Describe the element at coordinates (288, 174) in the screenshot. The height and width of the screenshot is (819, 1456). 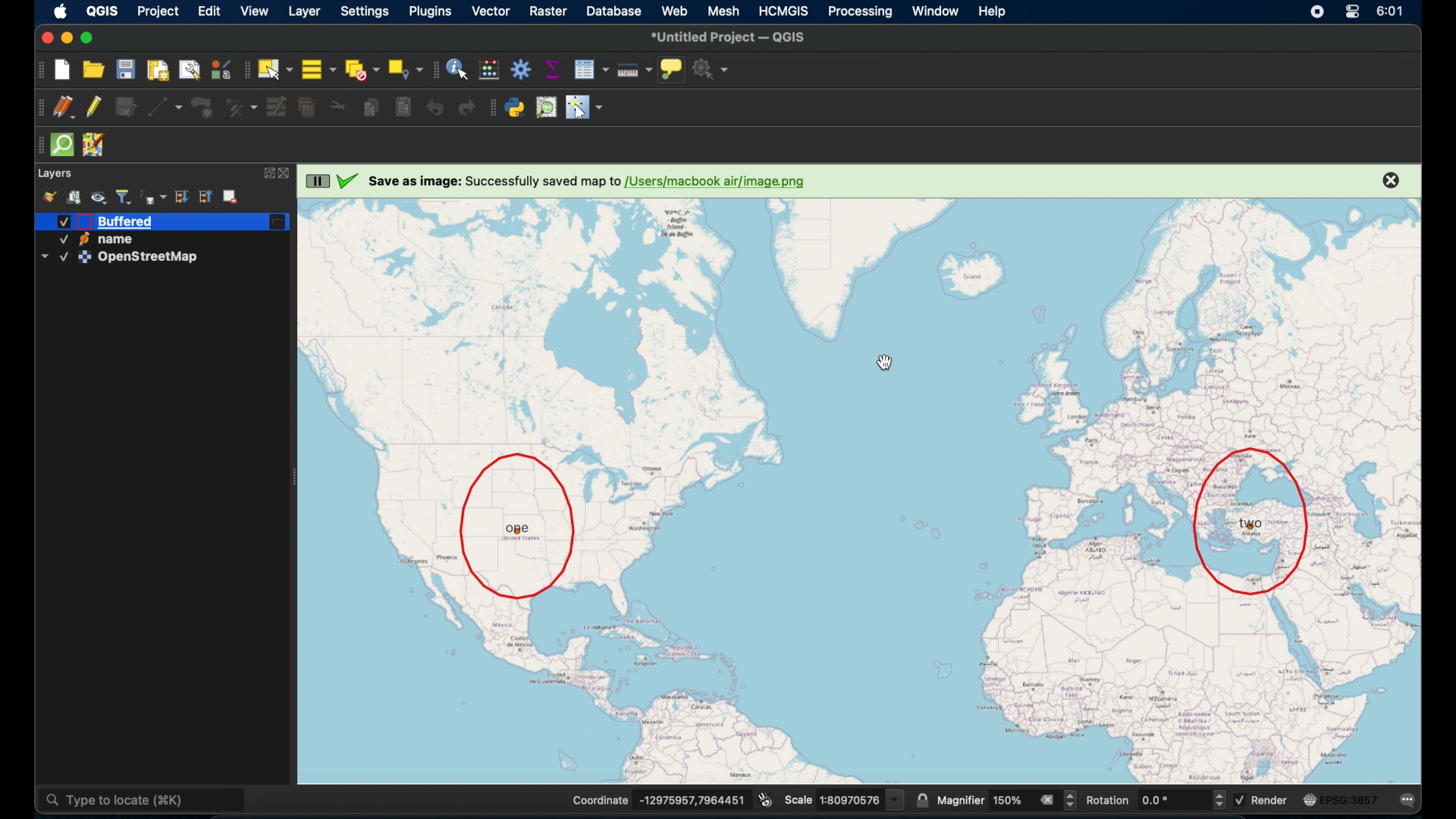
I see `close` at that location.